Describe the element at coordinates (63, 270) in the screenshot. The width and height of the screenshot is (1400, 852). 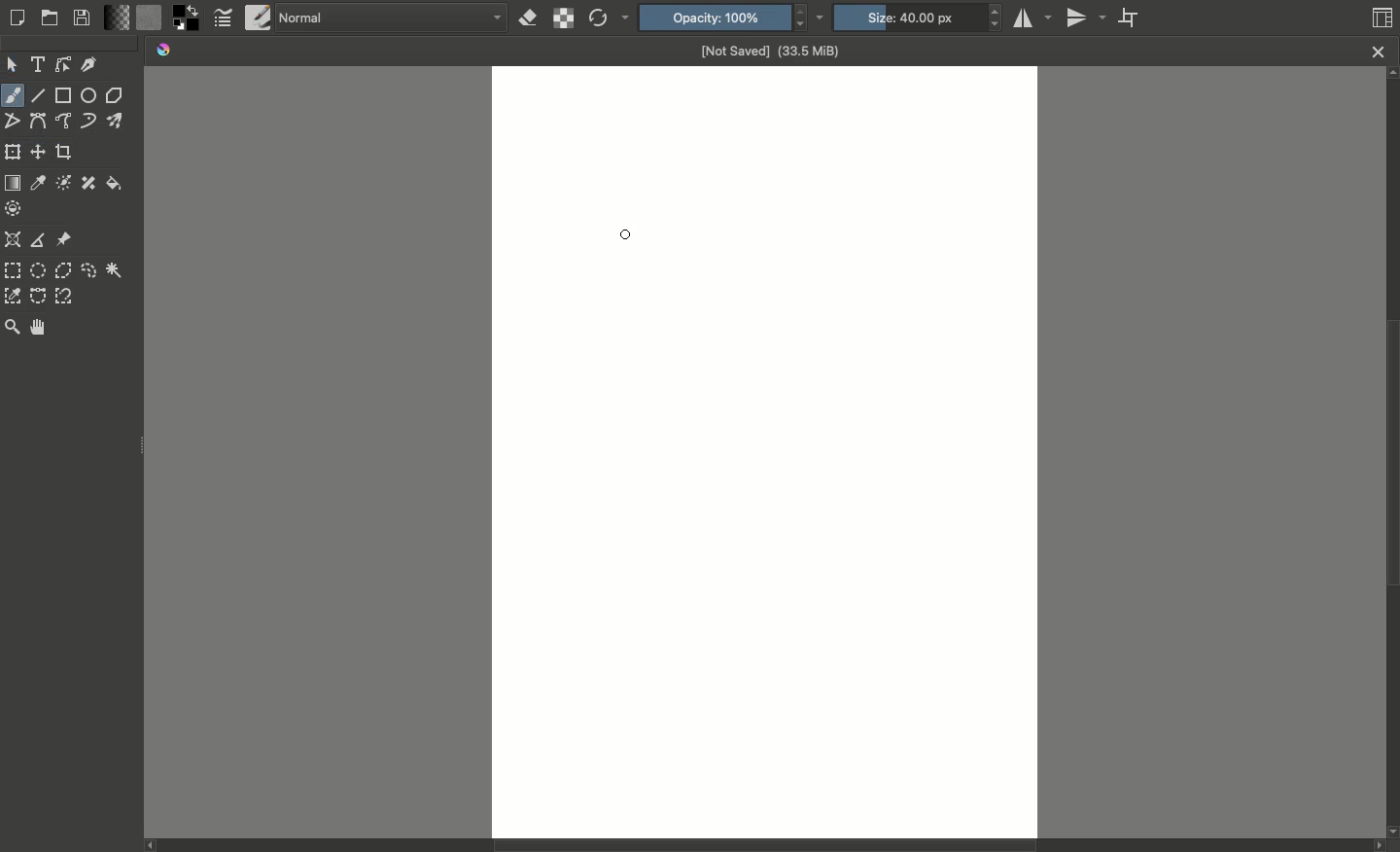
I see `Polygonal selection tool` at that location.